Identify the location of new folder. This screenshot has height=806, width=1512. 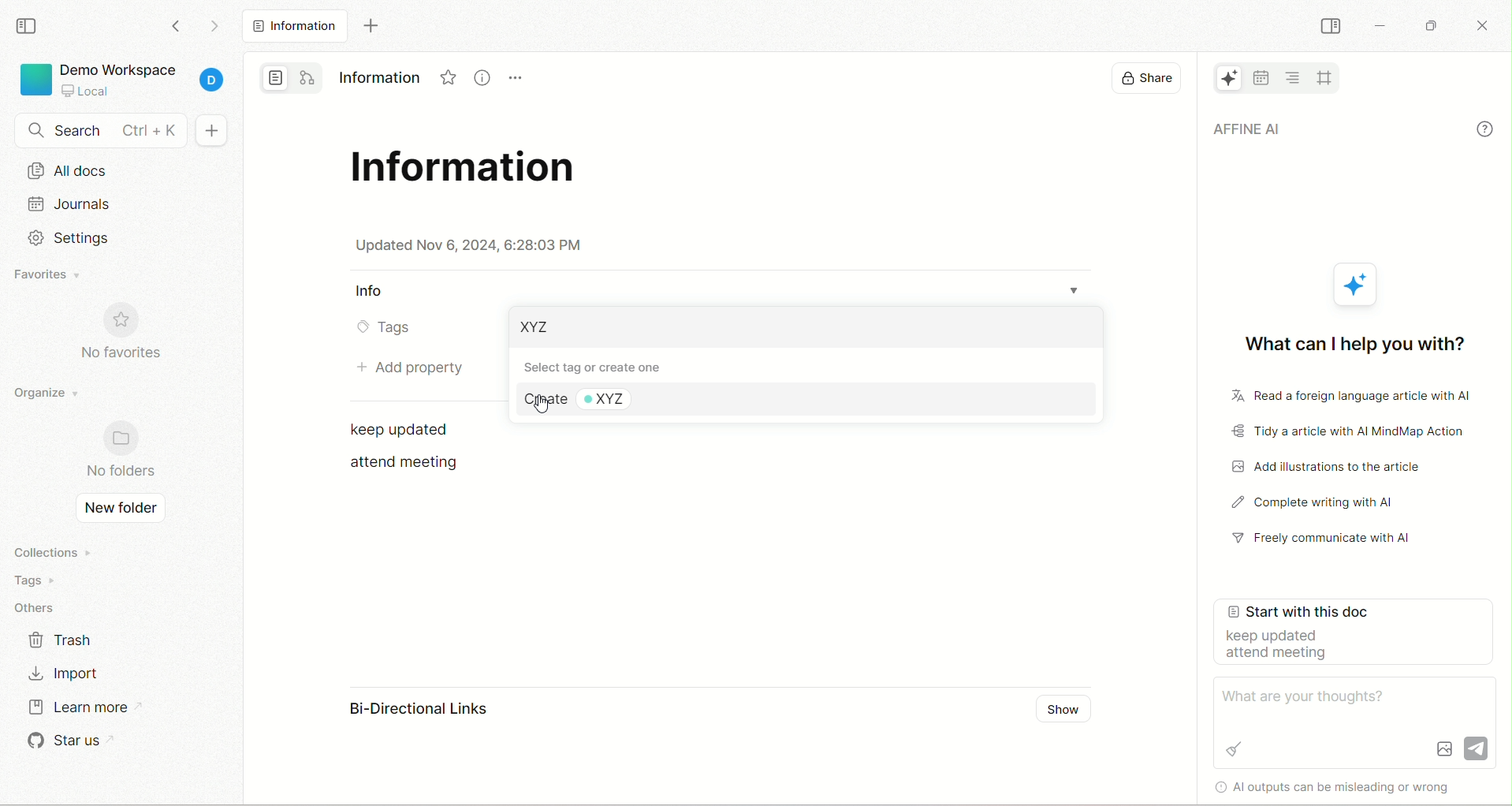
(121, 510).